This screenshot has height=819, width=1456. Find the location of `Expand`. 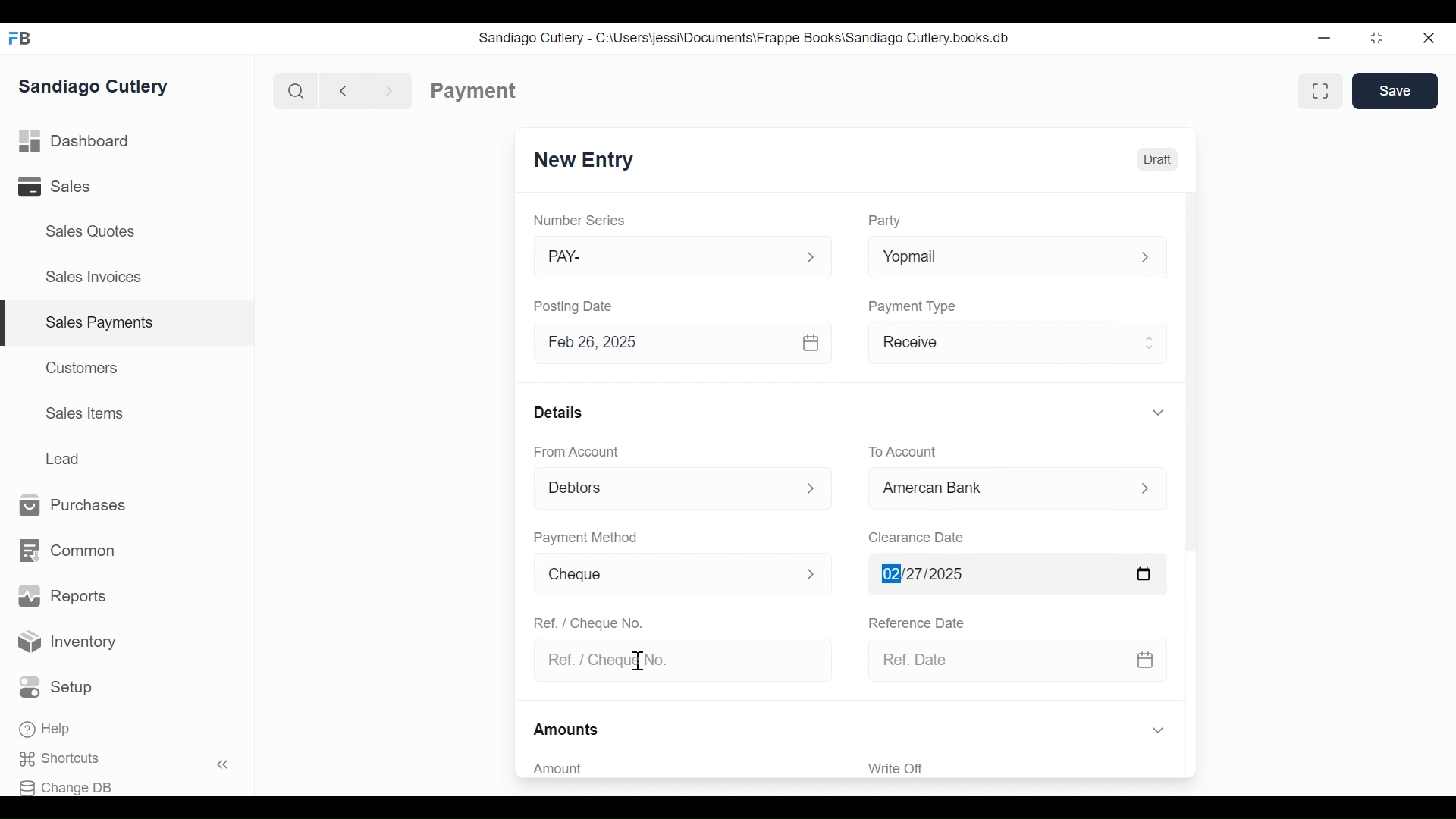

Expand is located at coordinates (814, 488).